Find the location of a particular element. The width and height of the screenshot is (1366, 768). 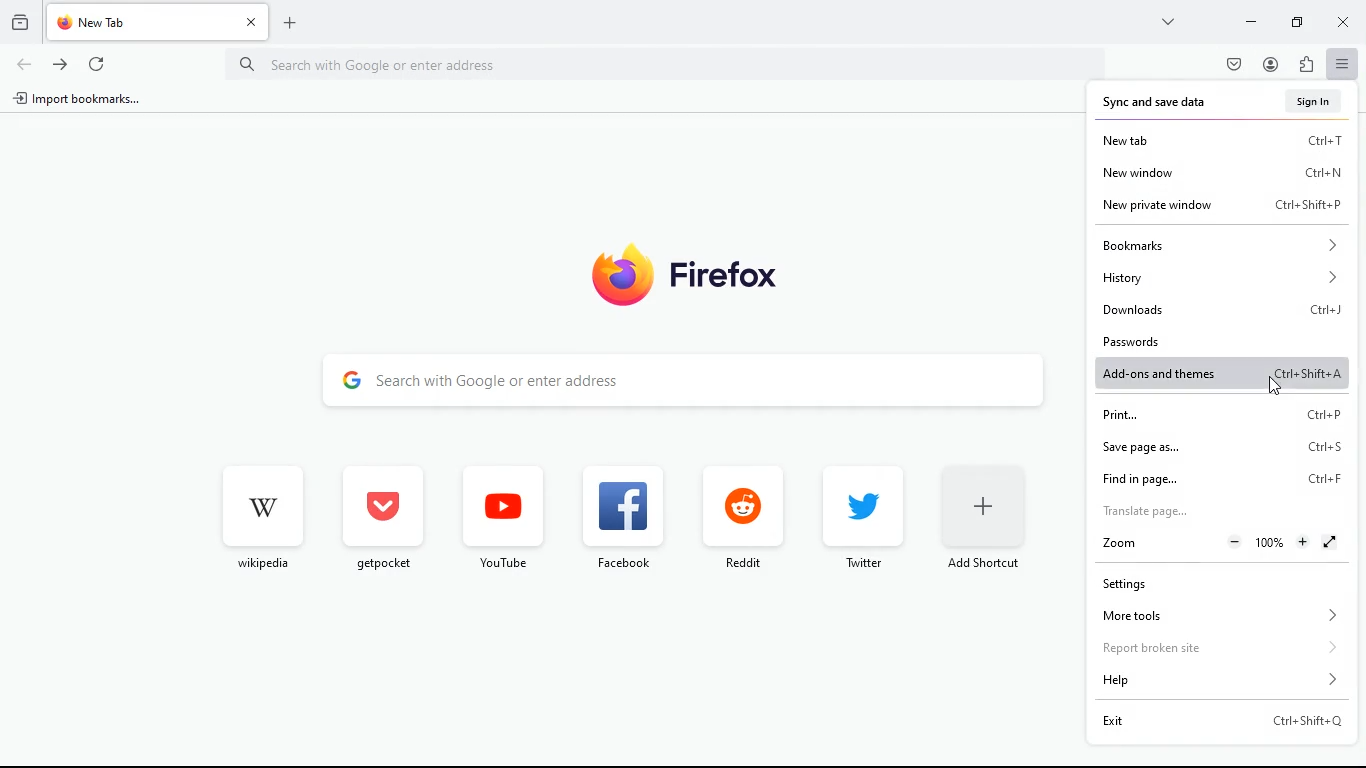

get pocket is located at coordinates (382, 526).